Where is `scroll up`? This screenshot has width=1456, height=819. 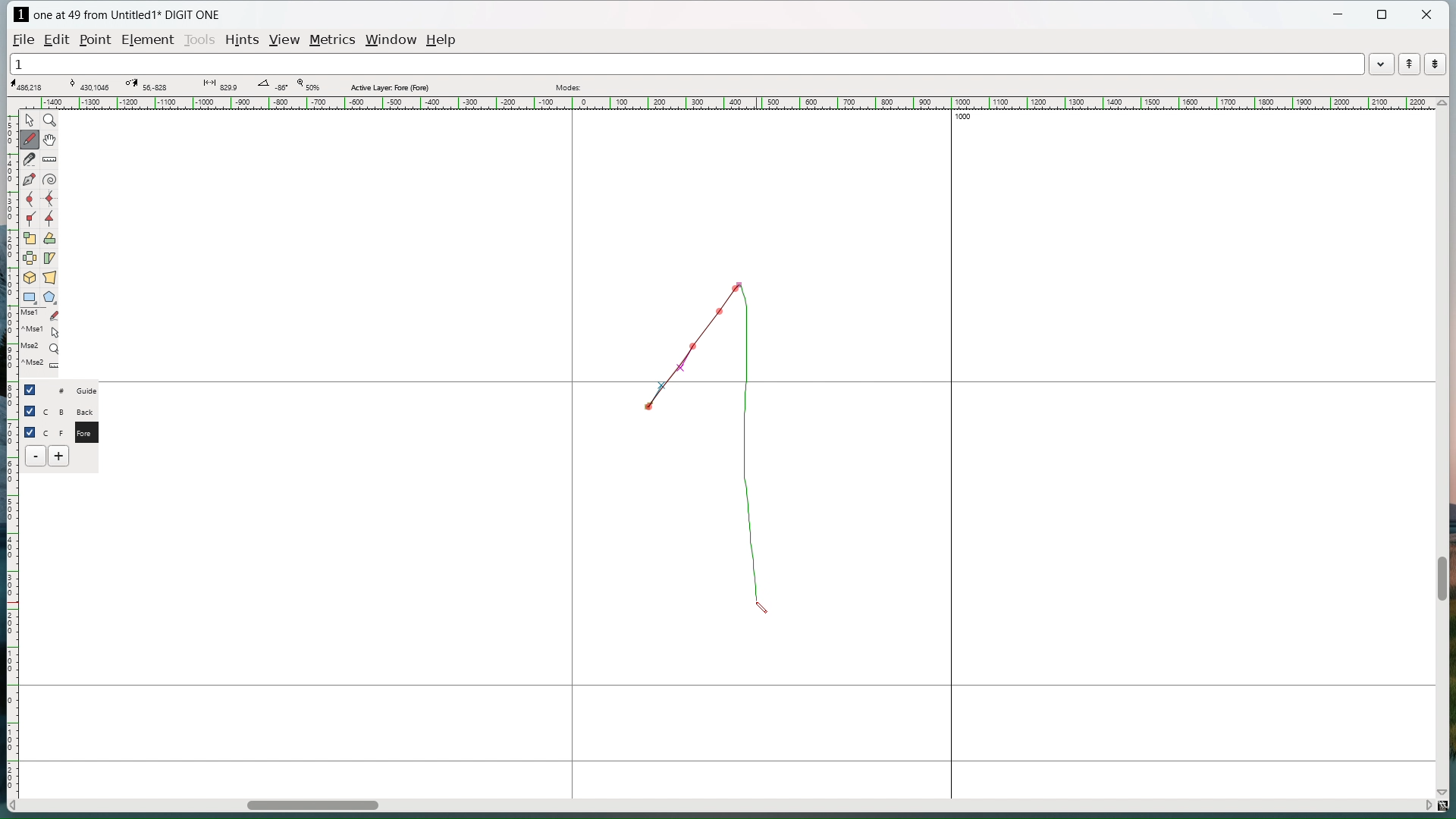
scroll up is located at coordinates (1441, 103).